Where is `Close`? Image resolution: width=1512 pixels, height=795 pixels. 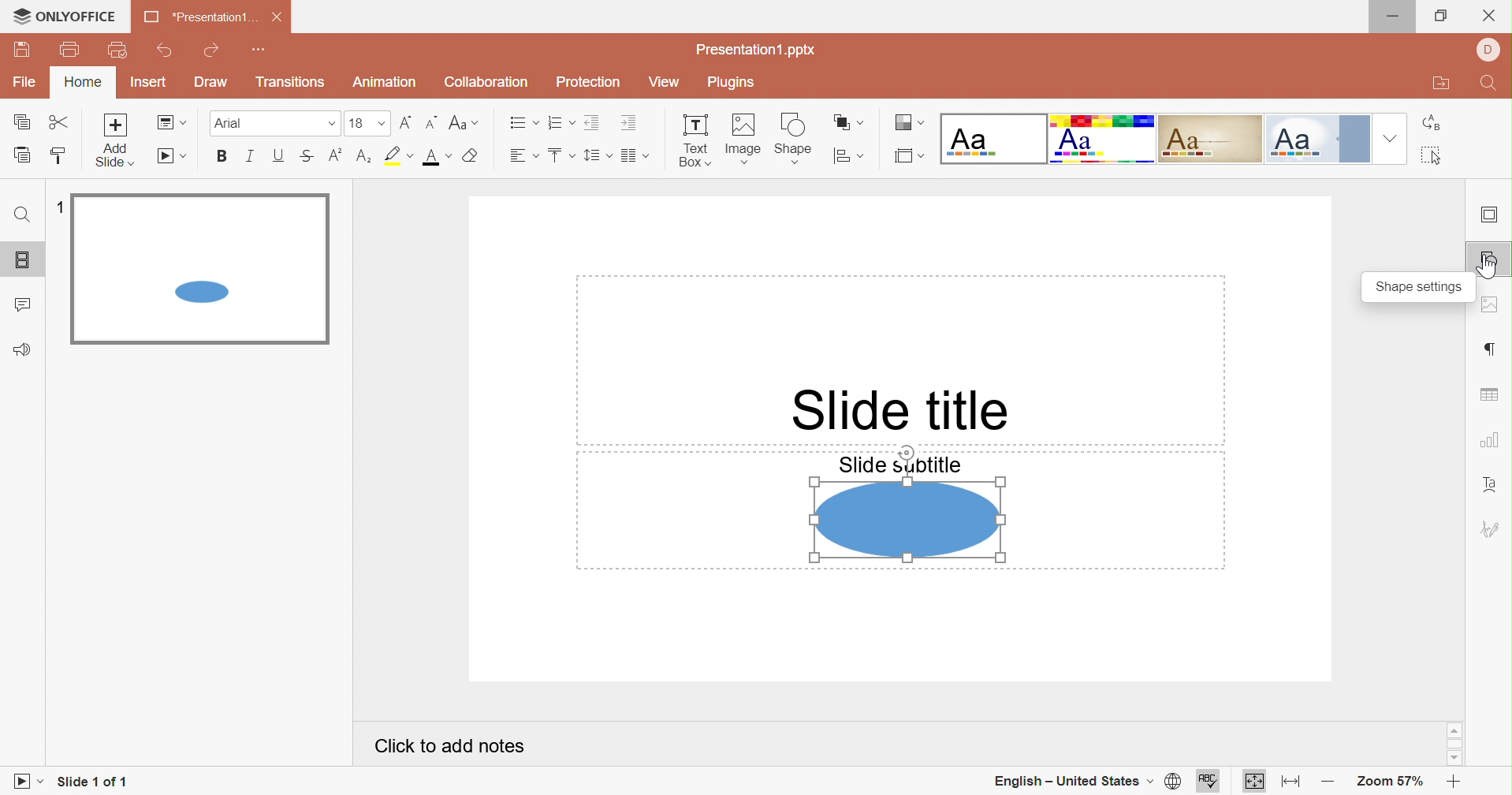 Close is located at coordinates (277, 19).